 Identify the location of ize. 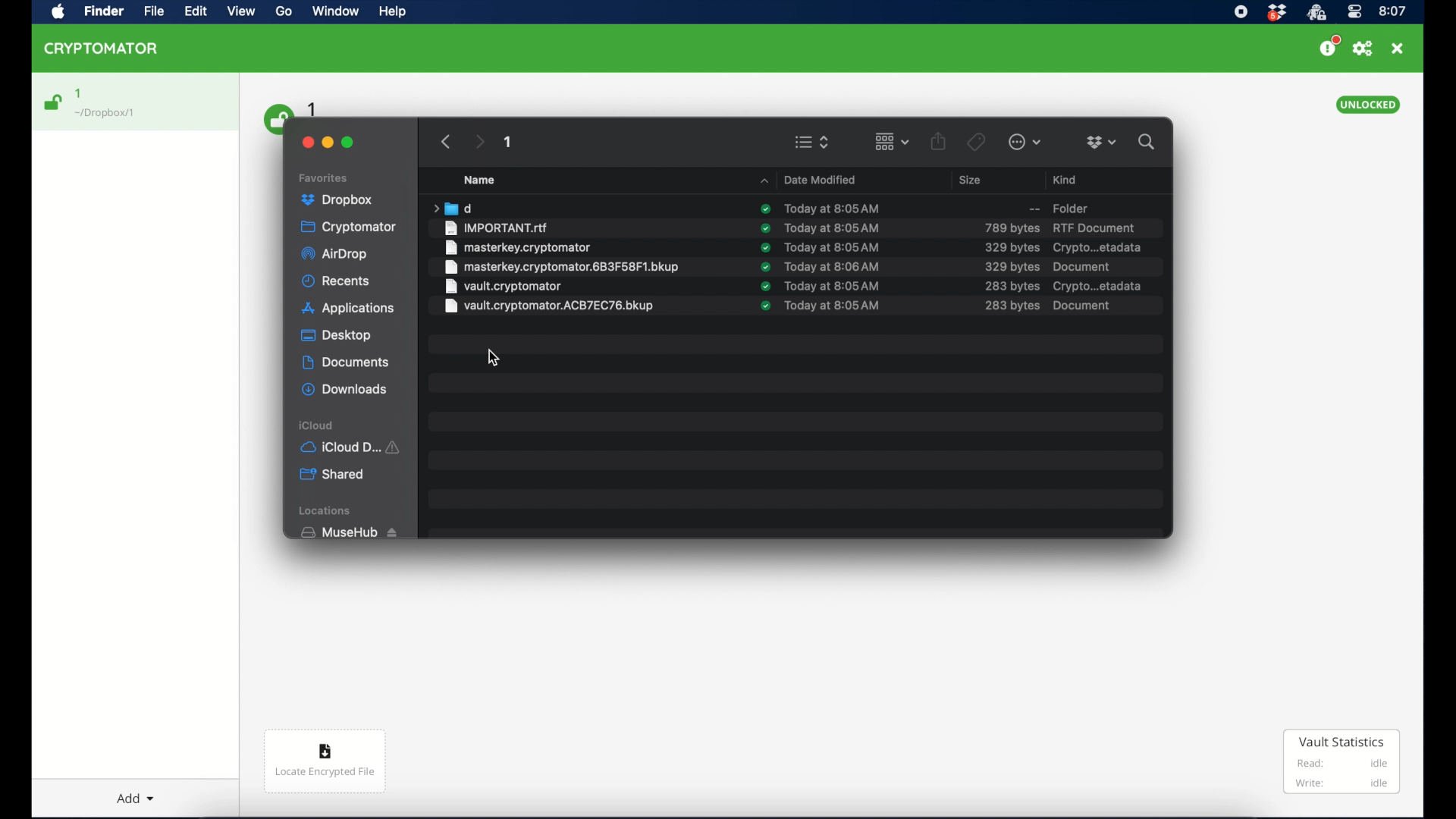
(1012, 306).